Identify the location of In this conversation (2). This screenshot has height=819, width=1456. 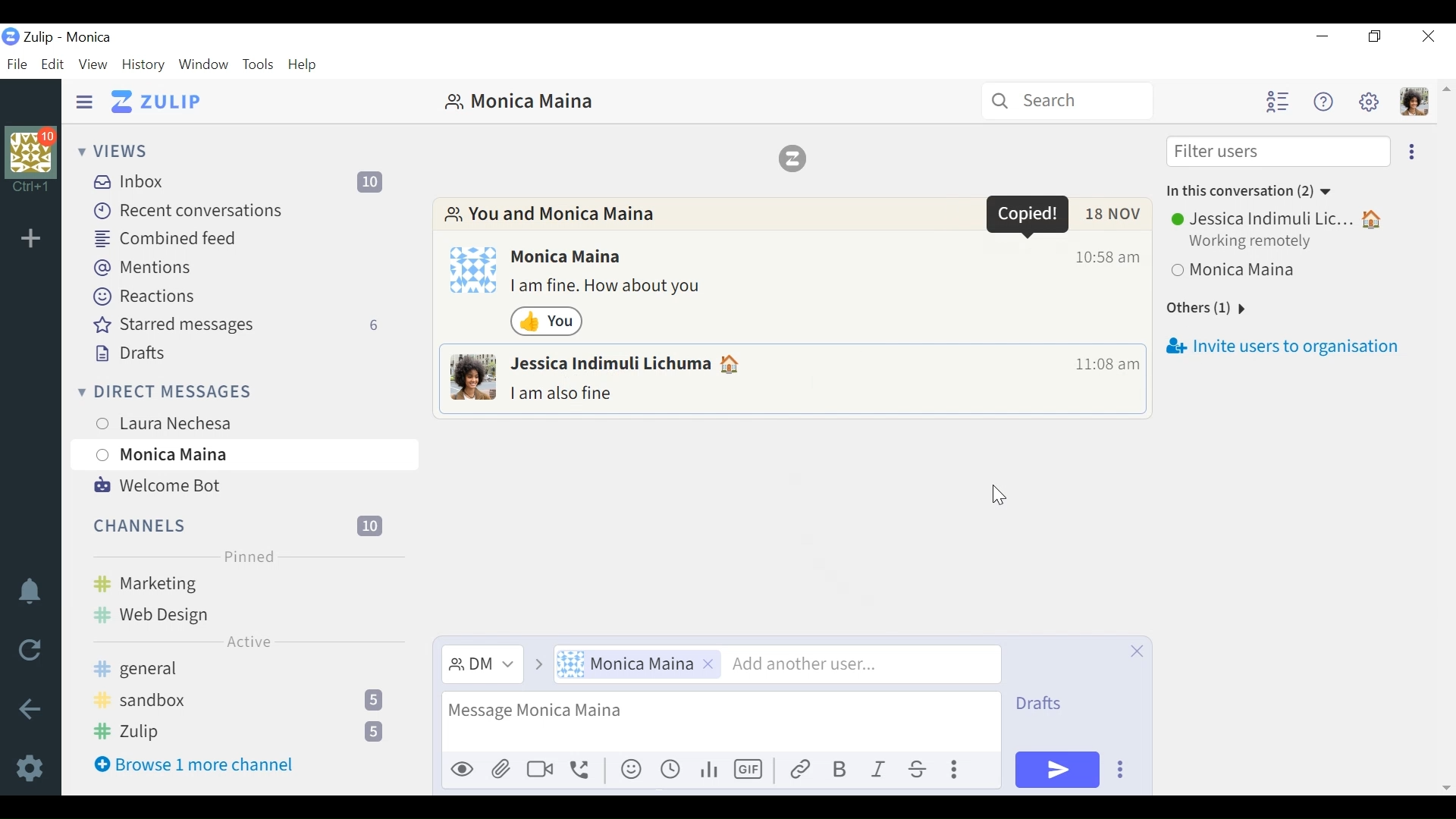
(1249, 190).